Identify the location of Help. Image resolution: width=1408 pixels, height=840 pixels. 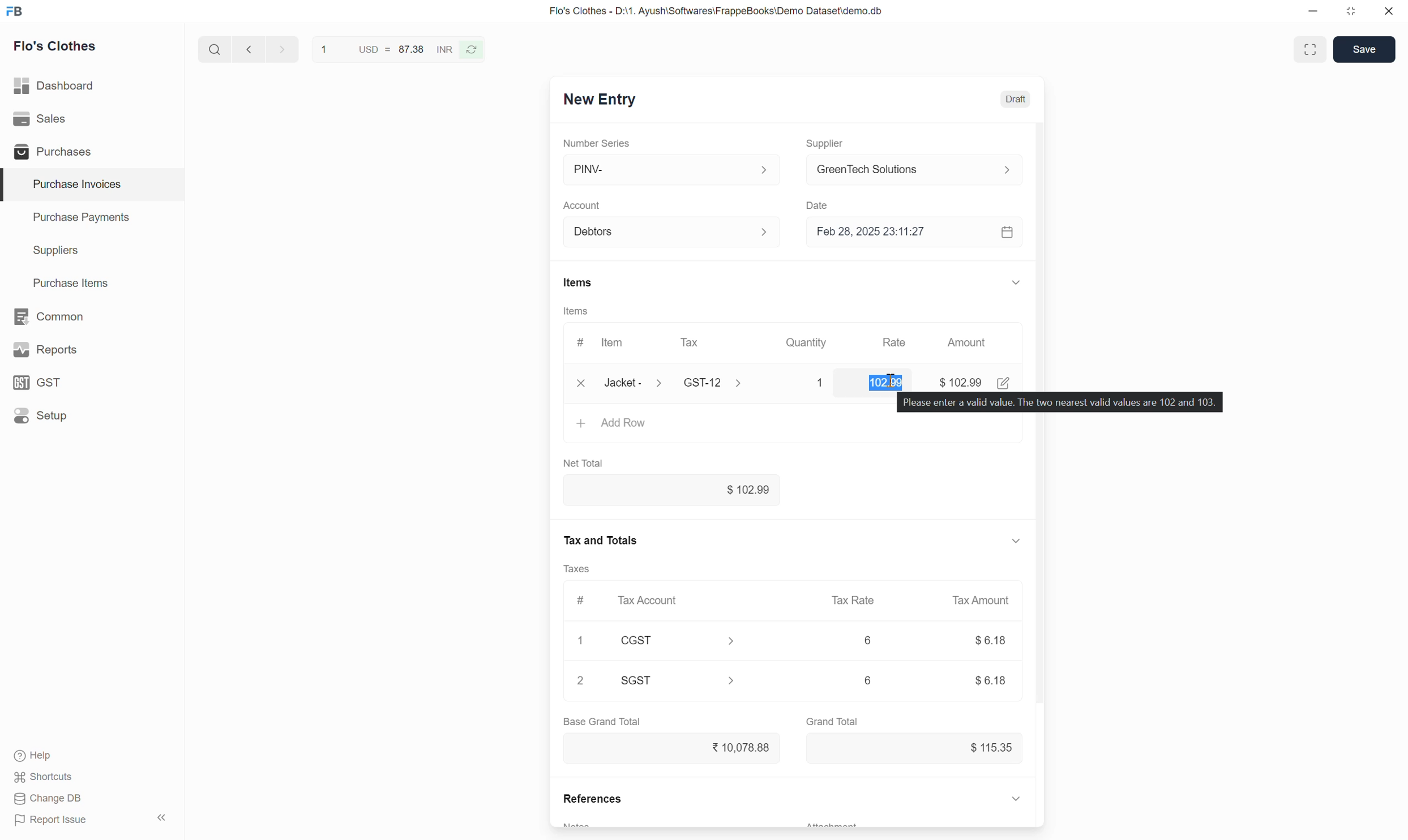
(36, 756).